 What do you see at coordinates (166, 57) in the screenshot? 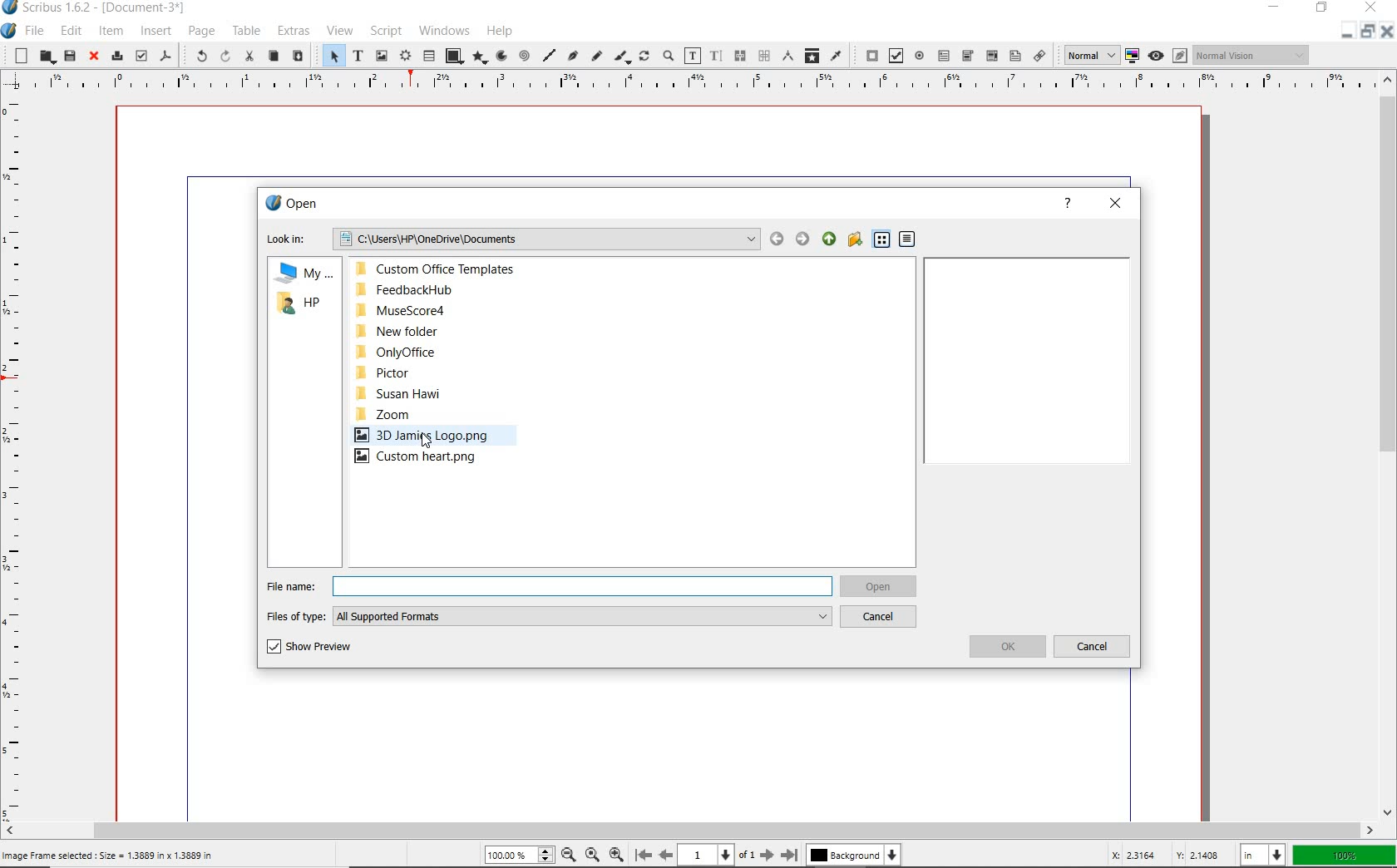
I see `save as pdf` at bounding box center [166, 57].